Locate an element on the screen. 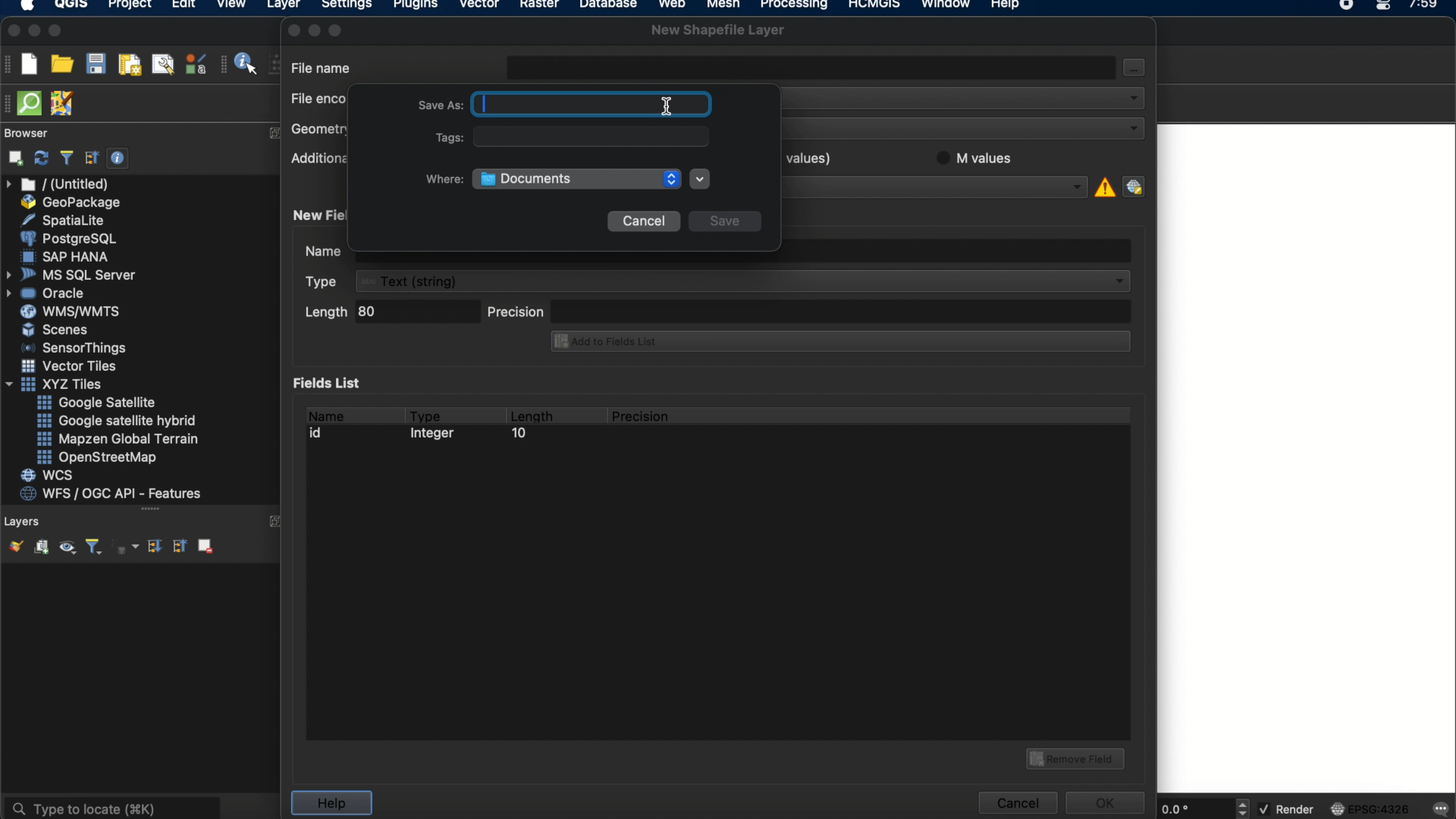  crs info is located at coordinates (1103, 185).